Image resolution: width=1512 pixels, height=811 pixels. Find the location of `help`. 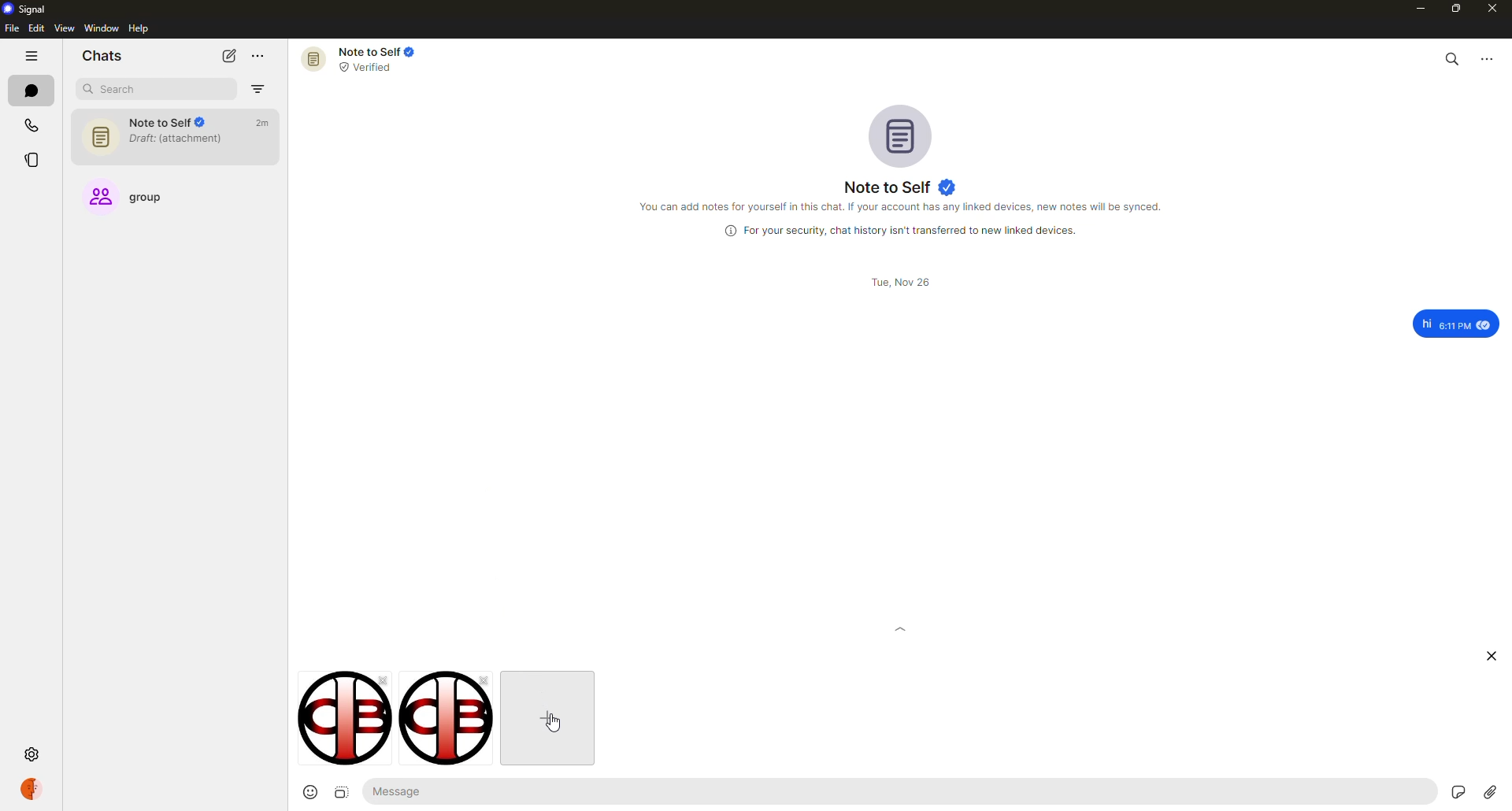

help is located at coordinates (139, 28).